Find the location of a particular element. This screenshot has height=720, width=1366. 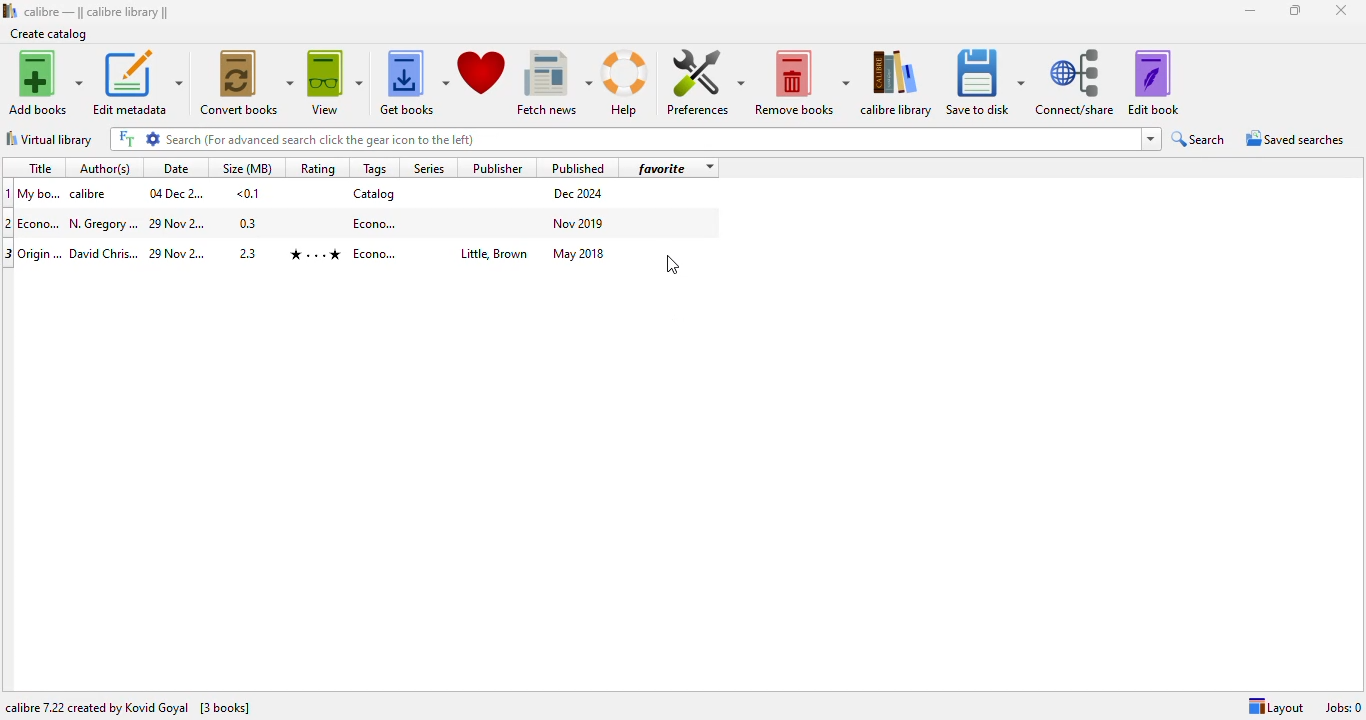

rating is located at coordinates (314, 254).